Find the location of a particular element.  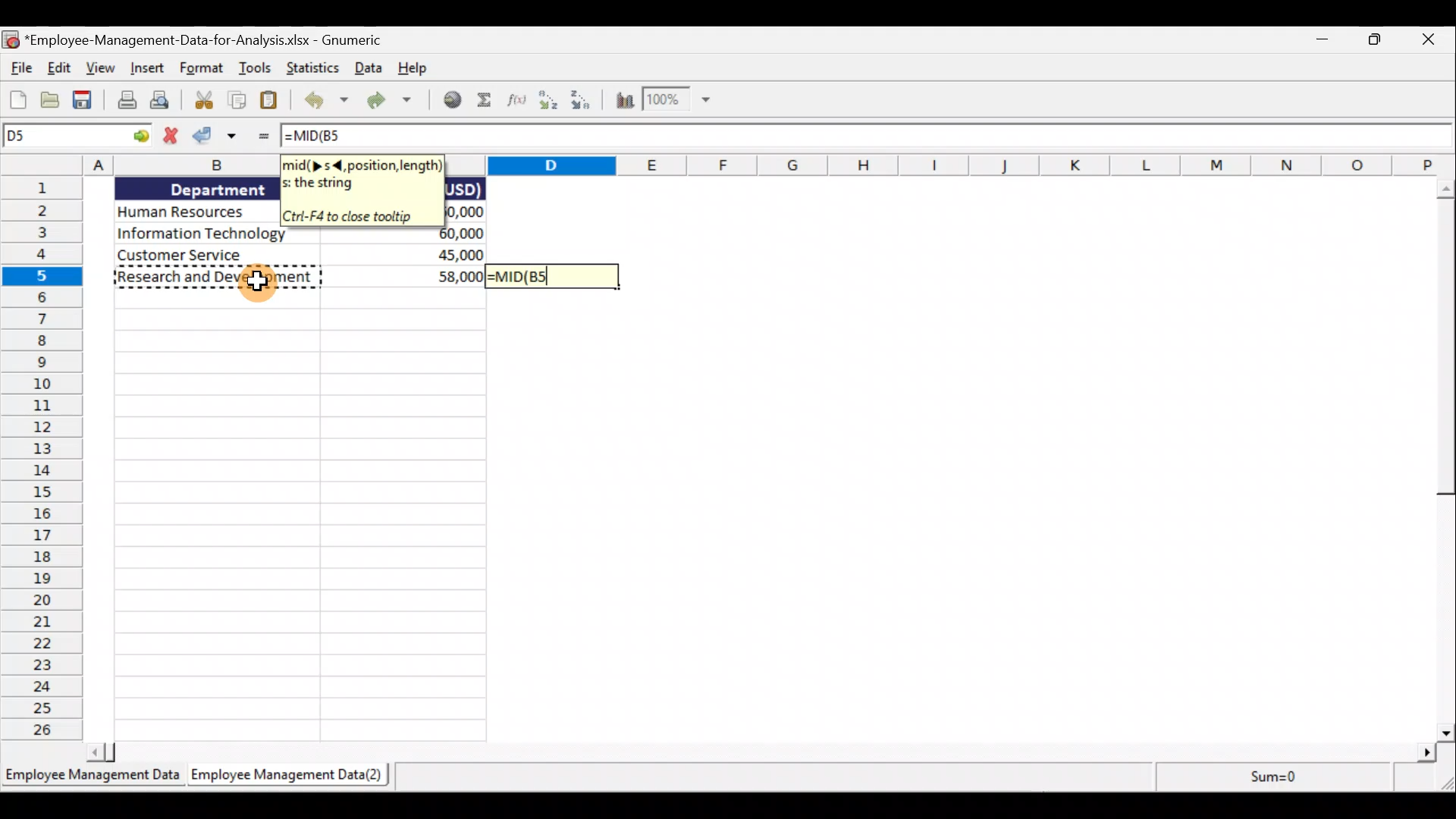

Document name is located at coordinates (196, 37).